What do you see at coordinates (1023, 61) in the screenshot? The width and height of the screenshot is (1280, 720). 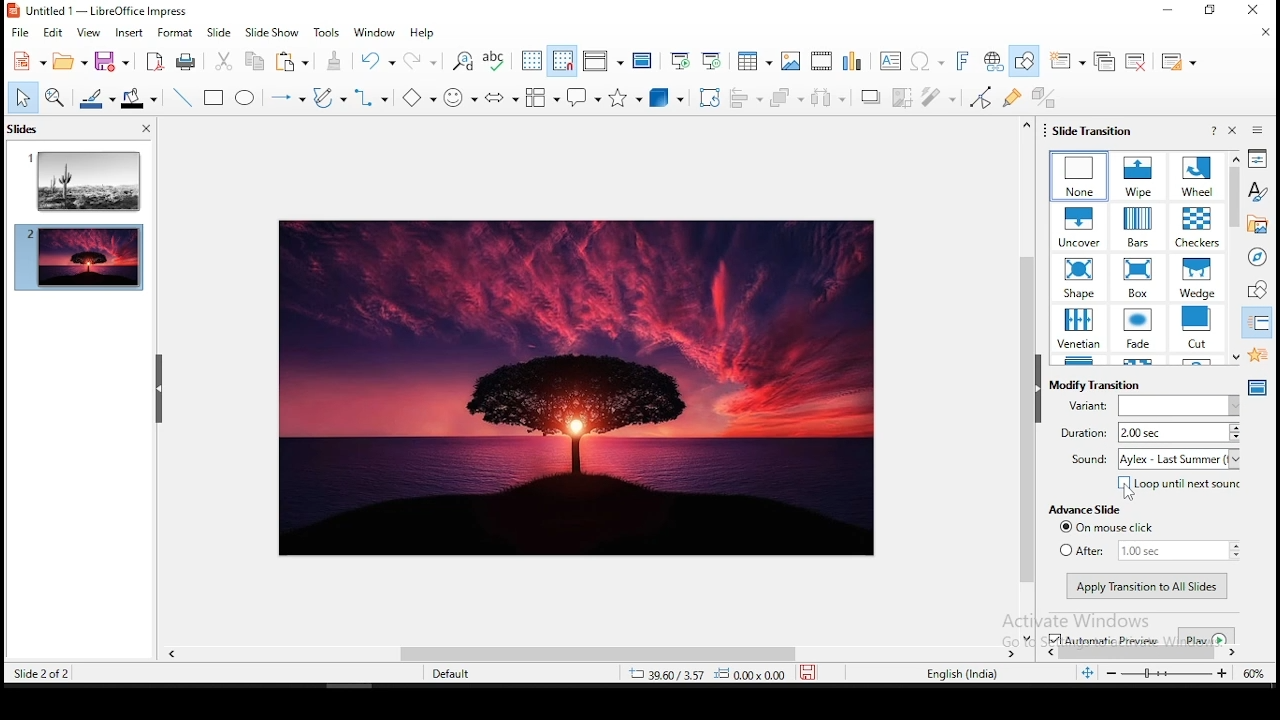 I see `show draw functions` at bounding box center [1023, 61].